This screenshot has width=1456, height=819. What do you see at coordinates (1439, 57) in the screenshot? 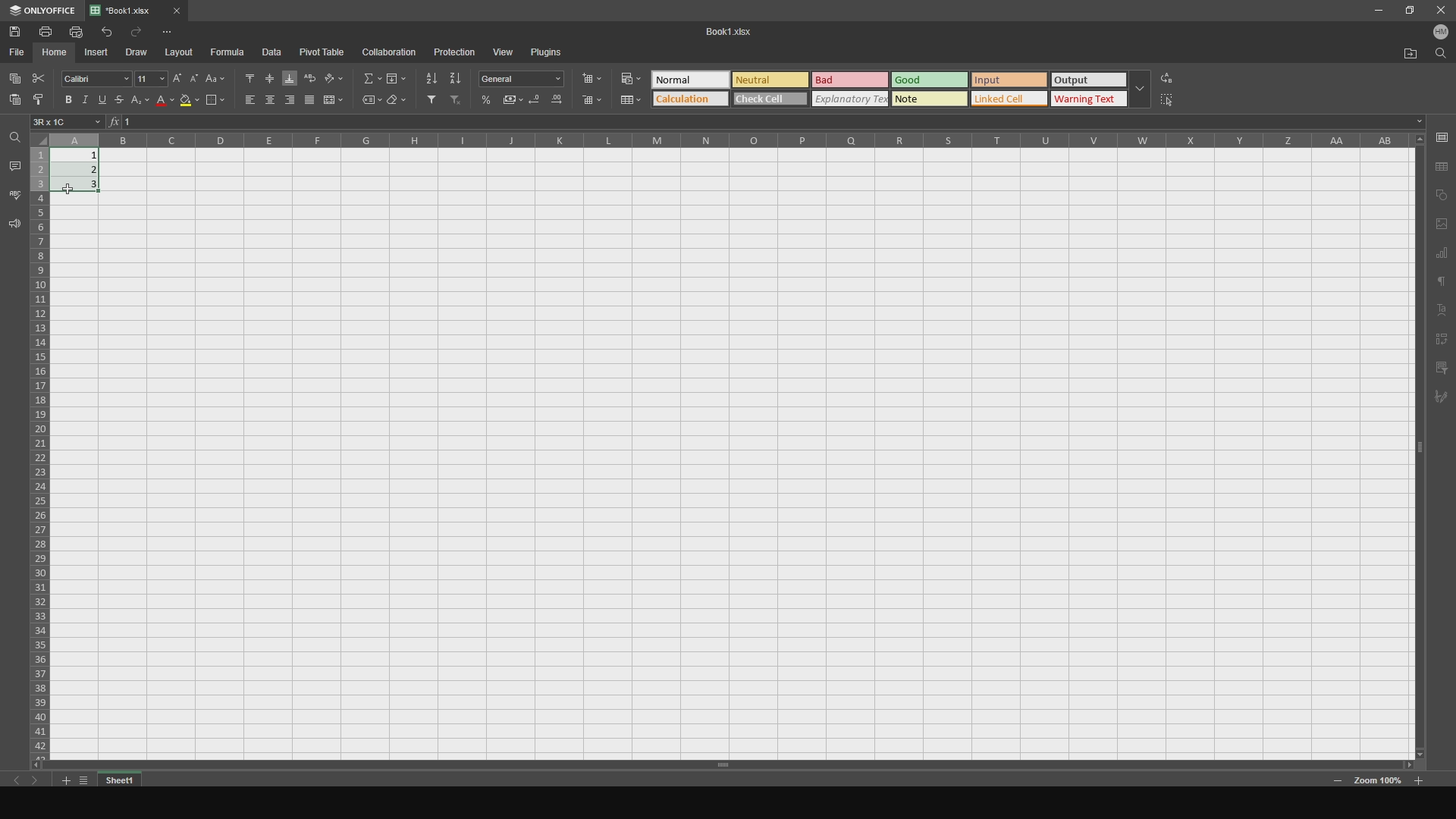
I see `find` at bounding box center [1439, 57].